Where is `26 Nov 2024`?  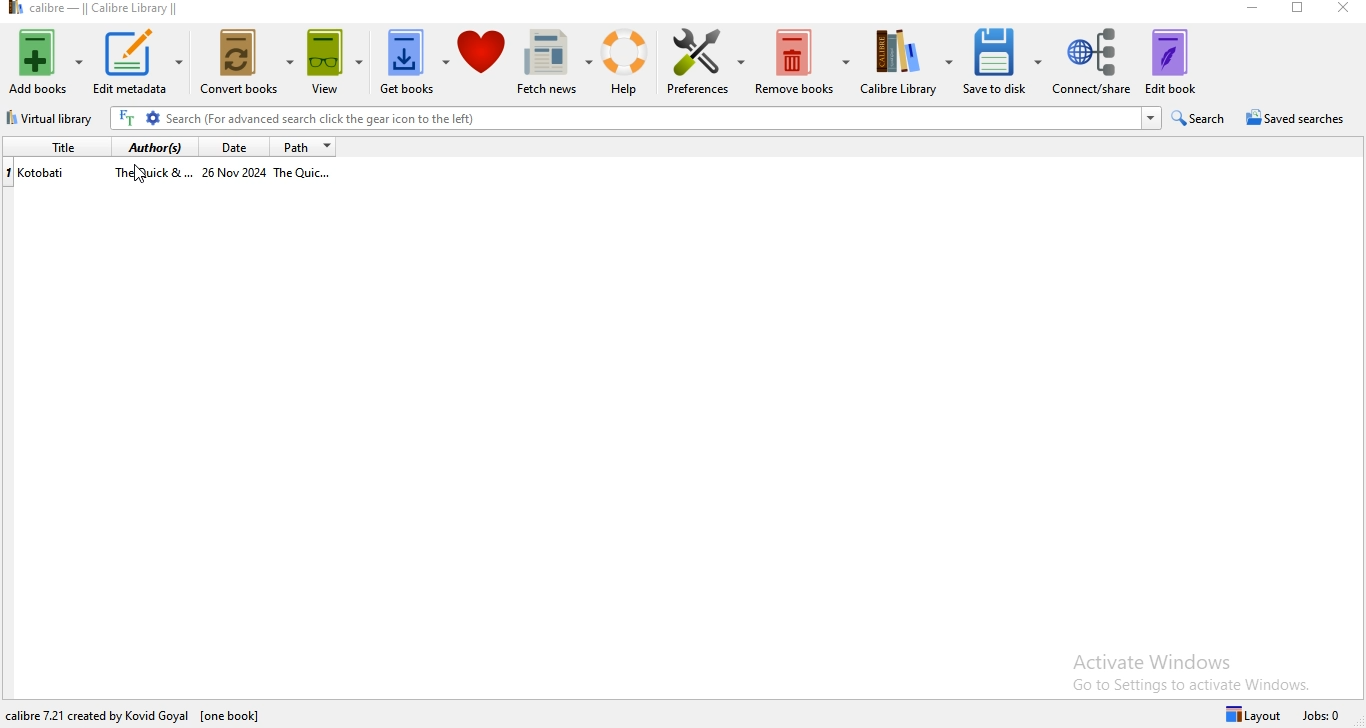 26 Nov 2024 is located at coordinates (235, 174).